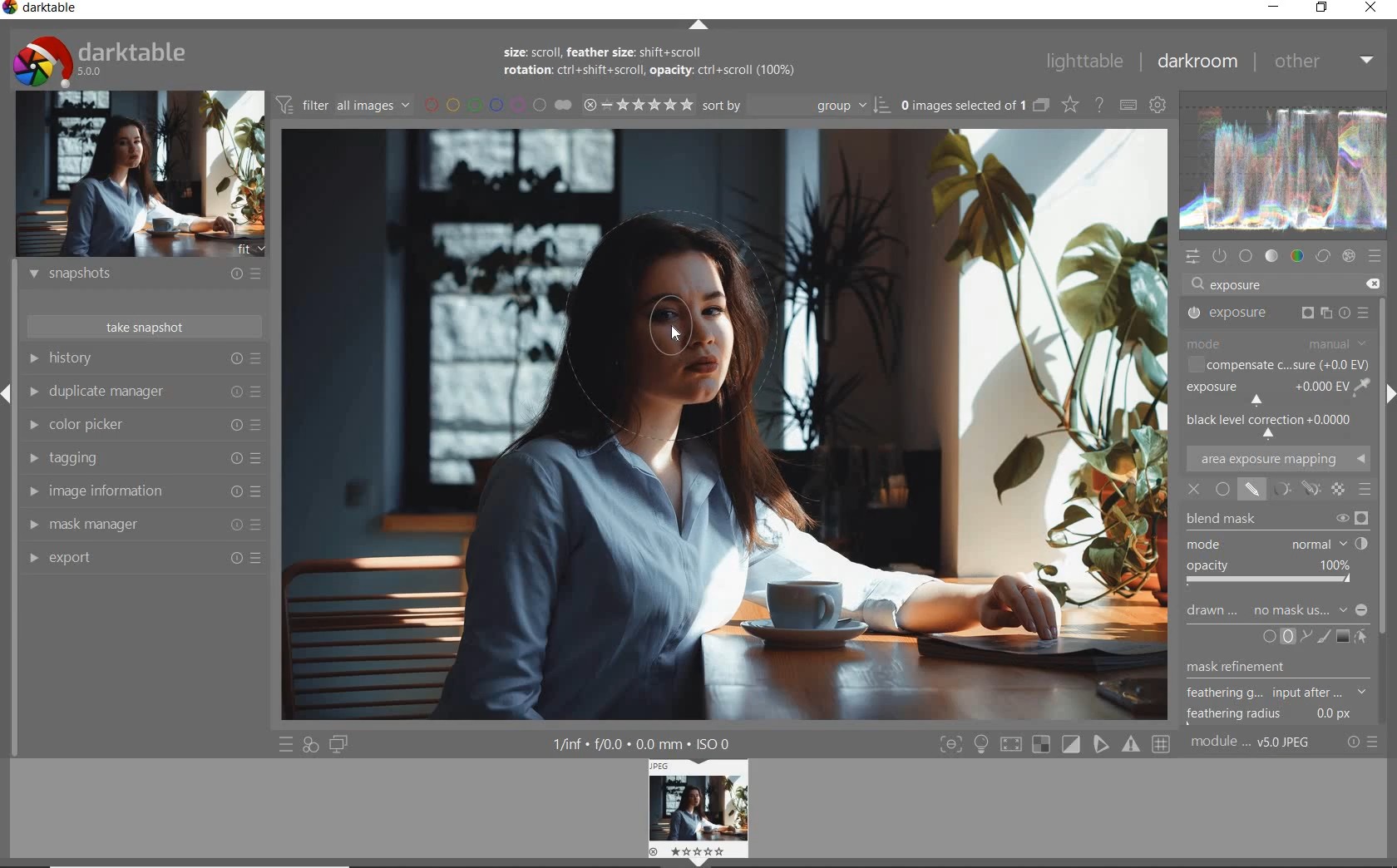 Image resolution: width=1397 pixels, height=868 pixels. Describe the element at coordinates (1276, 314) in the screenshot. I see `EXPOSURE` at that location.